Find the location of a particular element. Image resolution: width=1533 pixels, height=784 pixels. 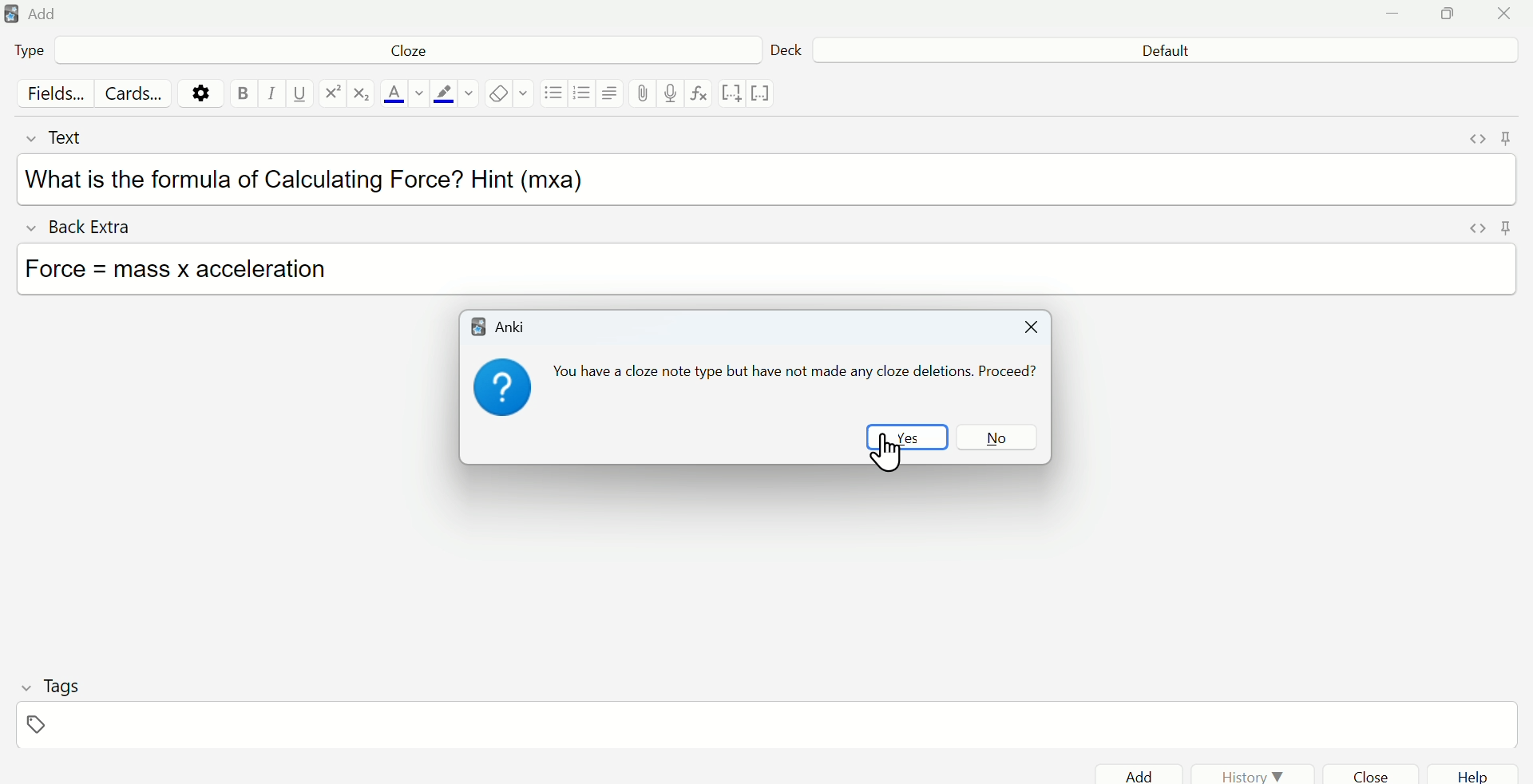

Align is located at coordinates (614, 95).